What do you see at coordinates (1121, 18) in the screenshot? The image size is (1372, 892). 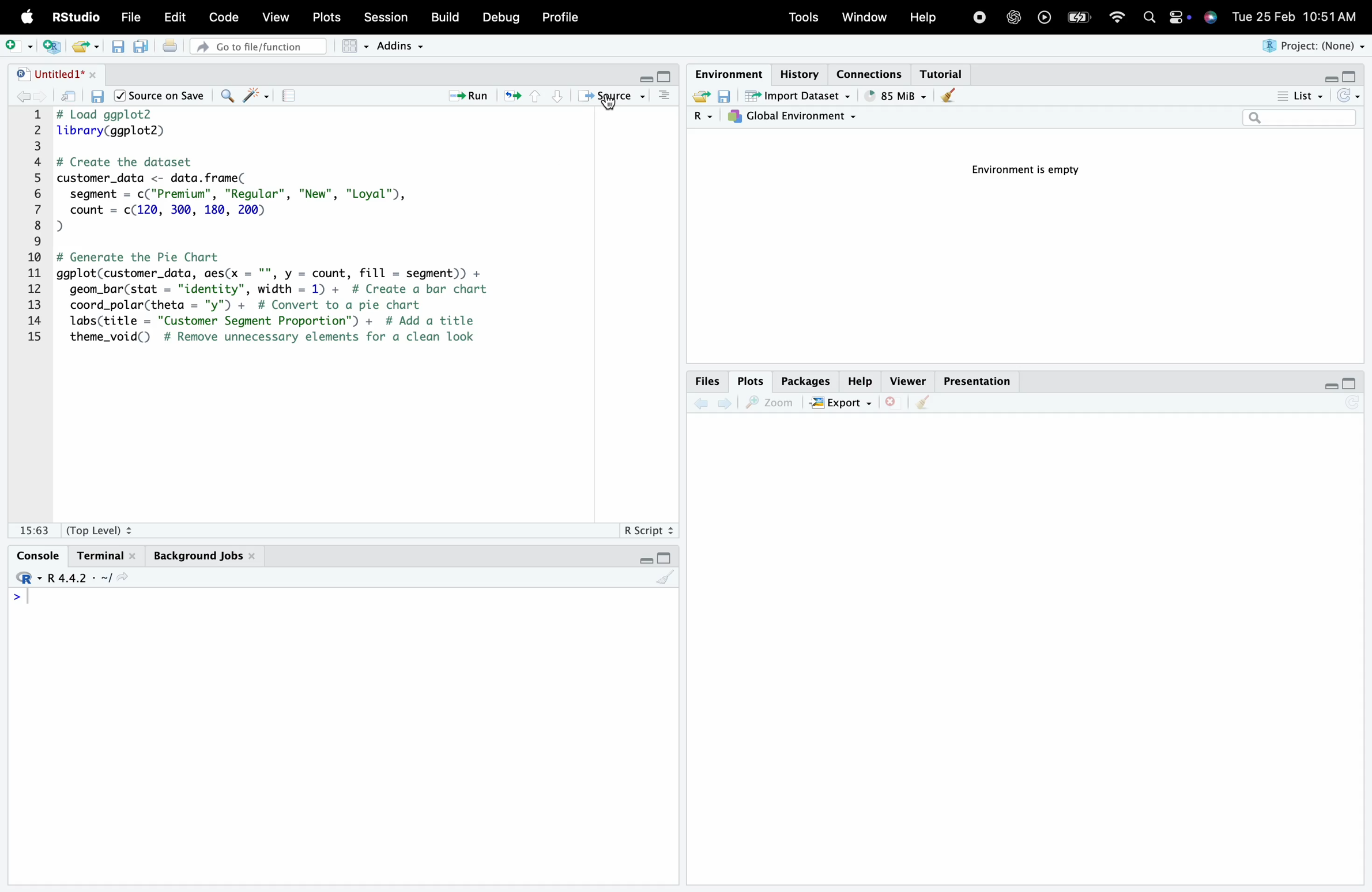 I see `wifi` at bounding box center [1121, 18].